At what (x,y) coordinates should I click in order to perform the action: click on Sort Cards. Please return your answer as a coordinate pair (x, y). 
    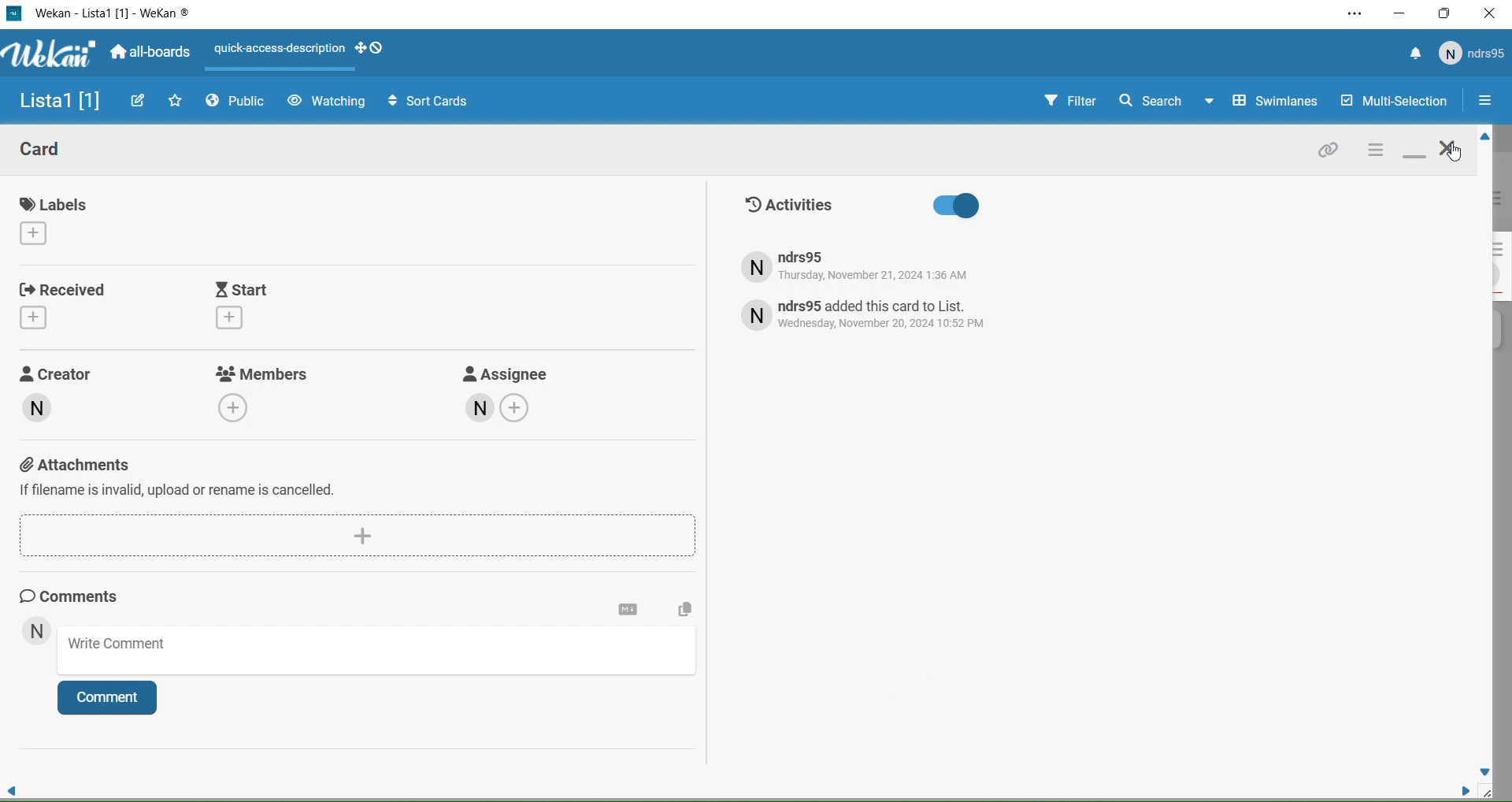
    Looking at the image, I should click on (421, 100).